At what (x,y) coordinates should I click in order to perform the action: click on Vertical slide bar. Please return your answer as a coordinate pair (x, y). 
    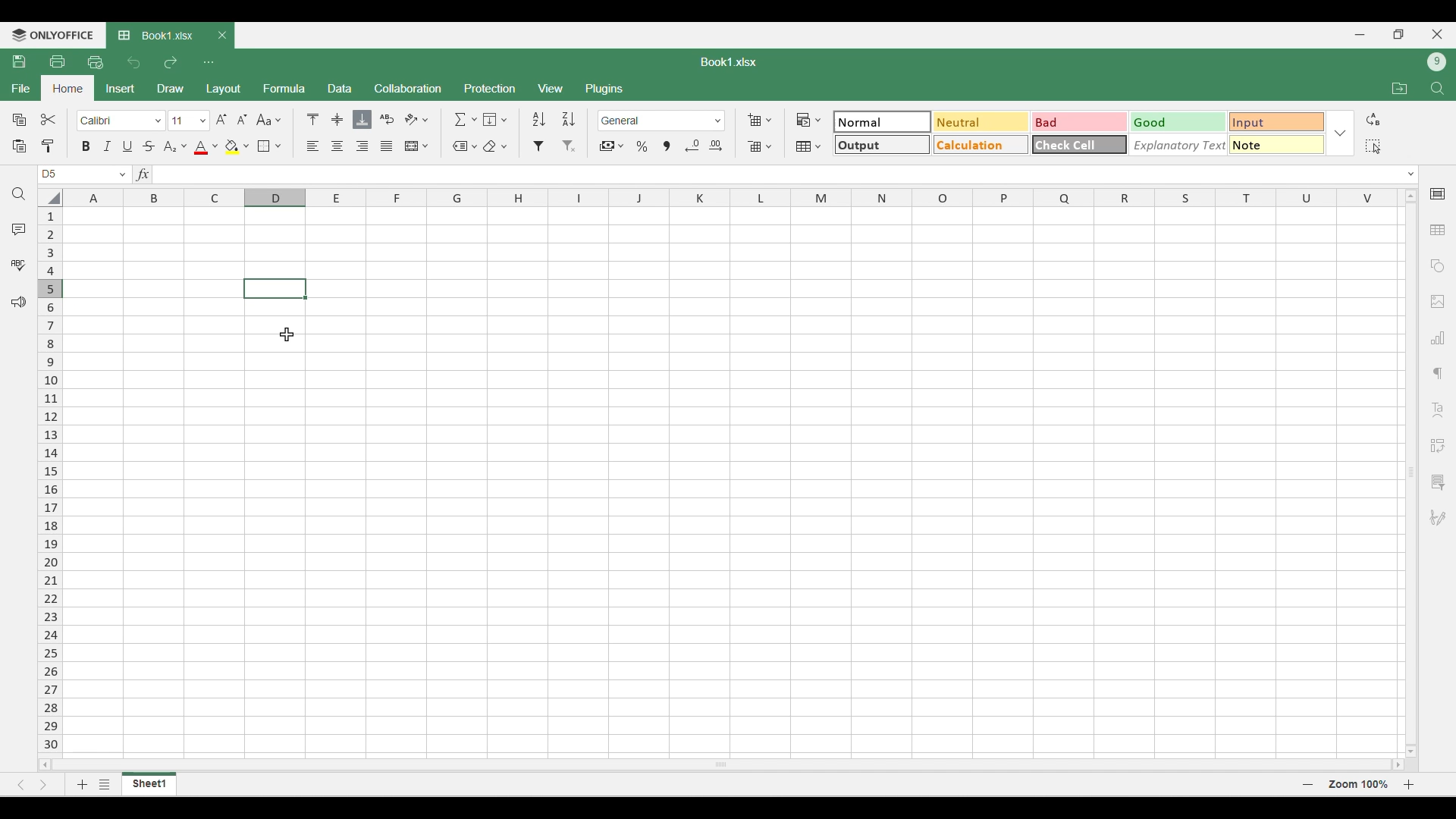
    Looking at the image, I should click on (1412, 472).